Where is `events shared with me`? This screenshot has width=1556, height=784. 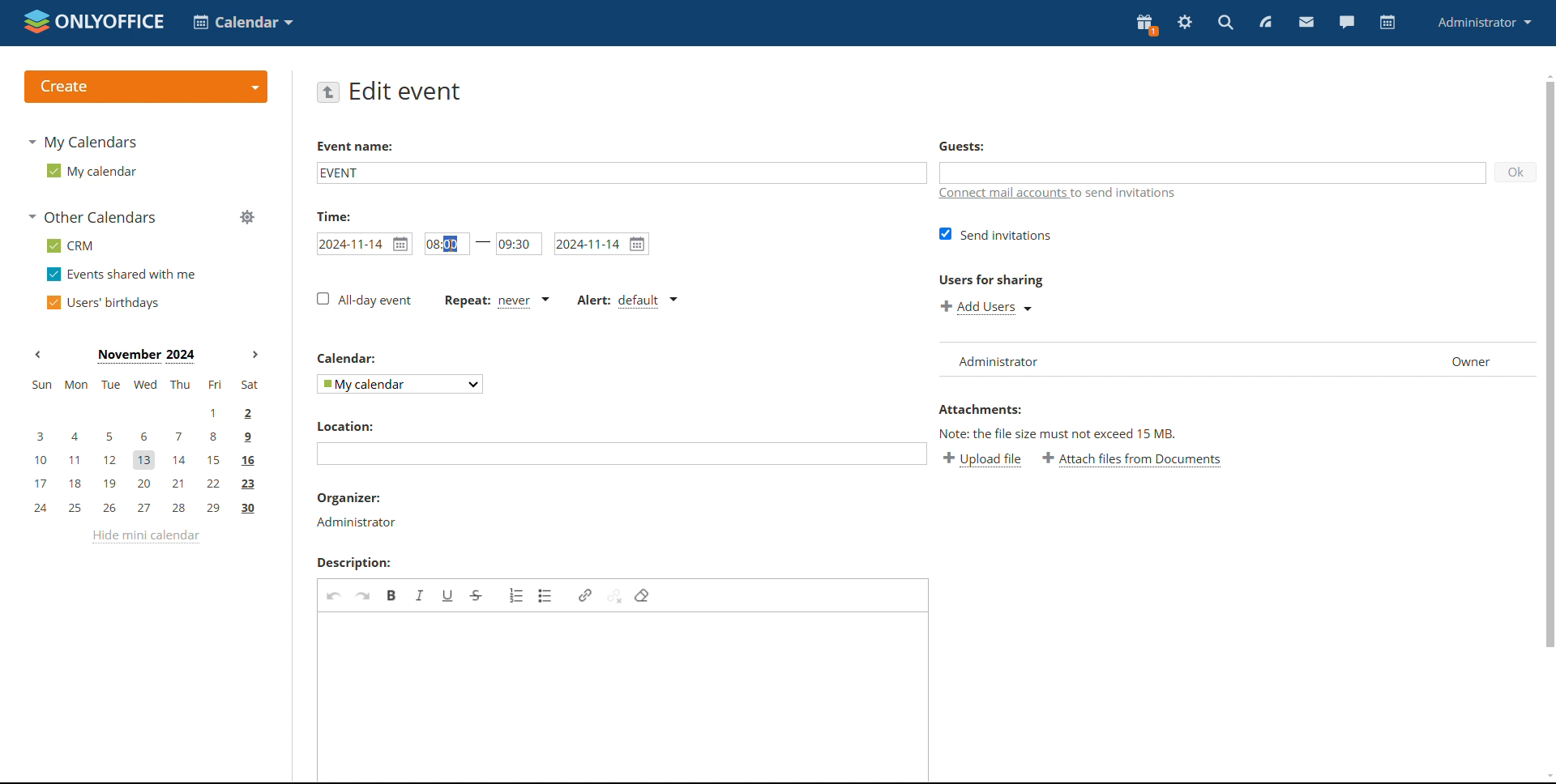
events shared with me is located at coordinates (123, 275).